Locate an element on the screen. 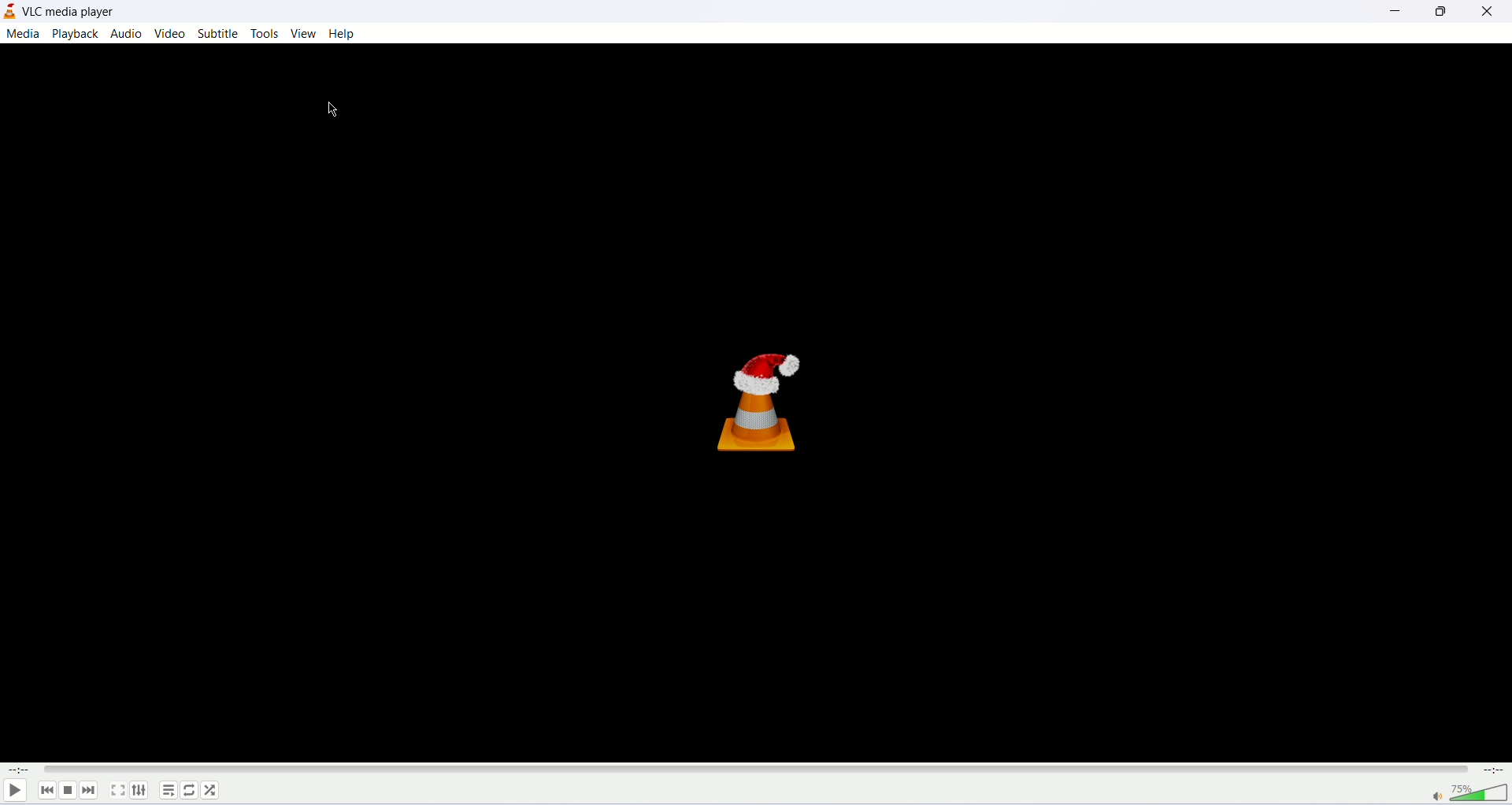  volume bar is located at coordinates (1461, 793).